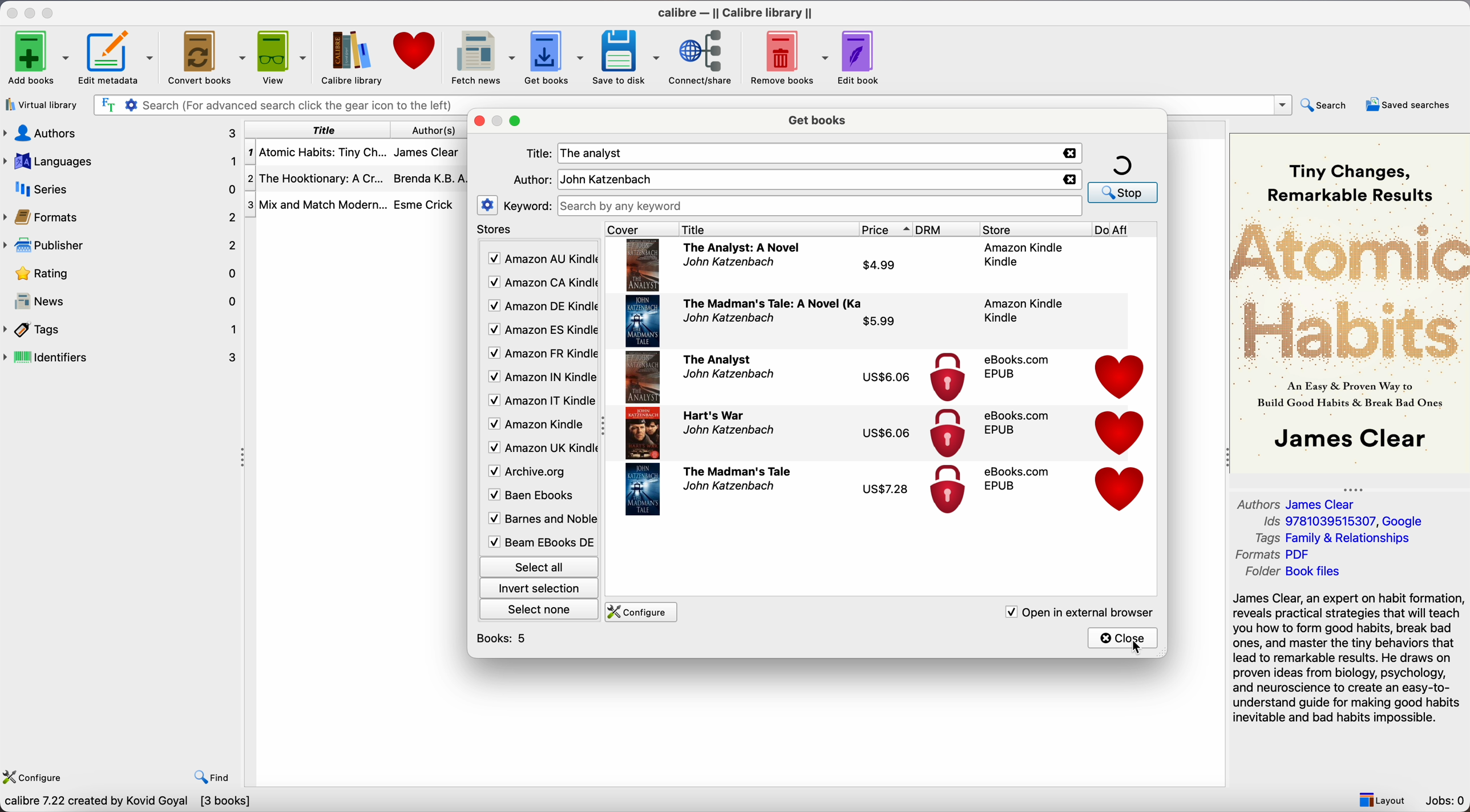 Image resolution: width=1470 pixels, height=812 pixels. Describe the element at coordinates (434, 131) in the screenshot. I see `authors` at that location.